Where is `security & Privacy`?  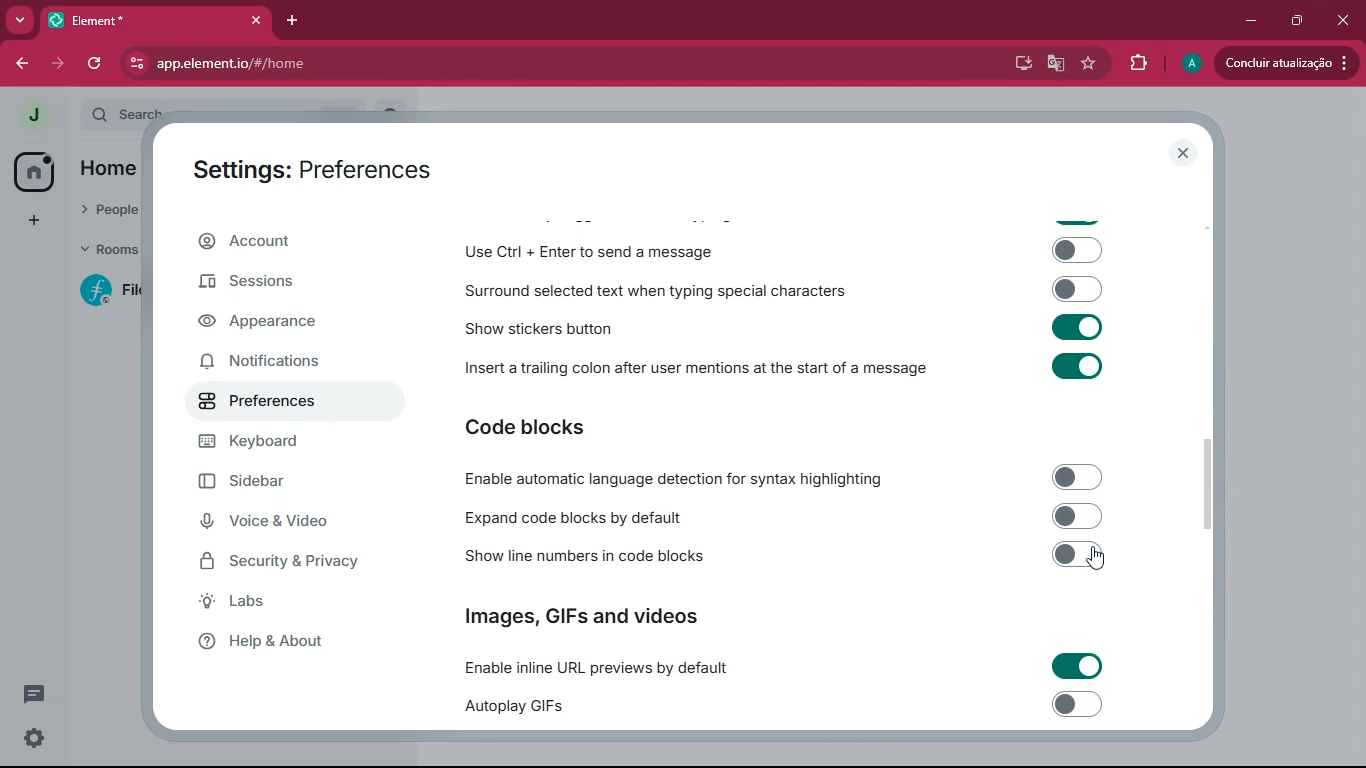
security & Privacy is located at coordinates (289, 562).